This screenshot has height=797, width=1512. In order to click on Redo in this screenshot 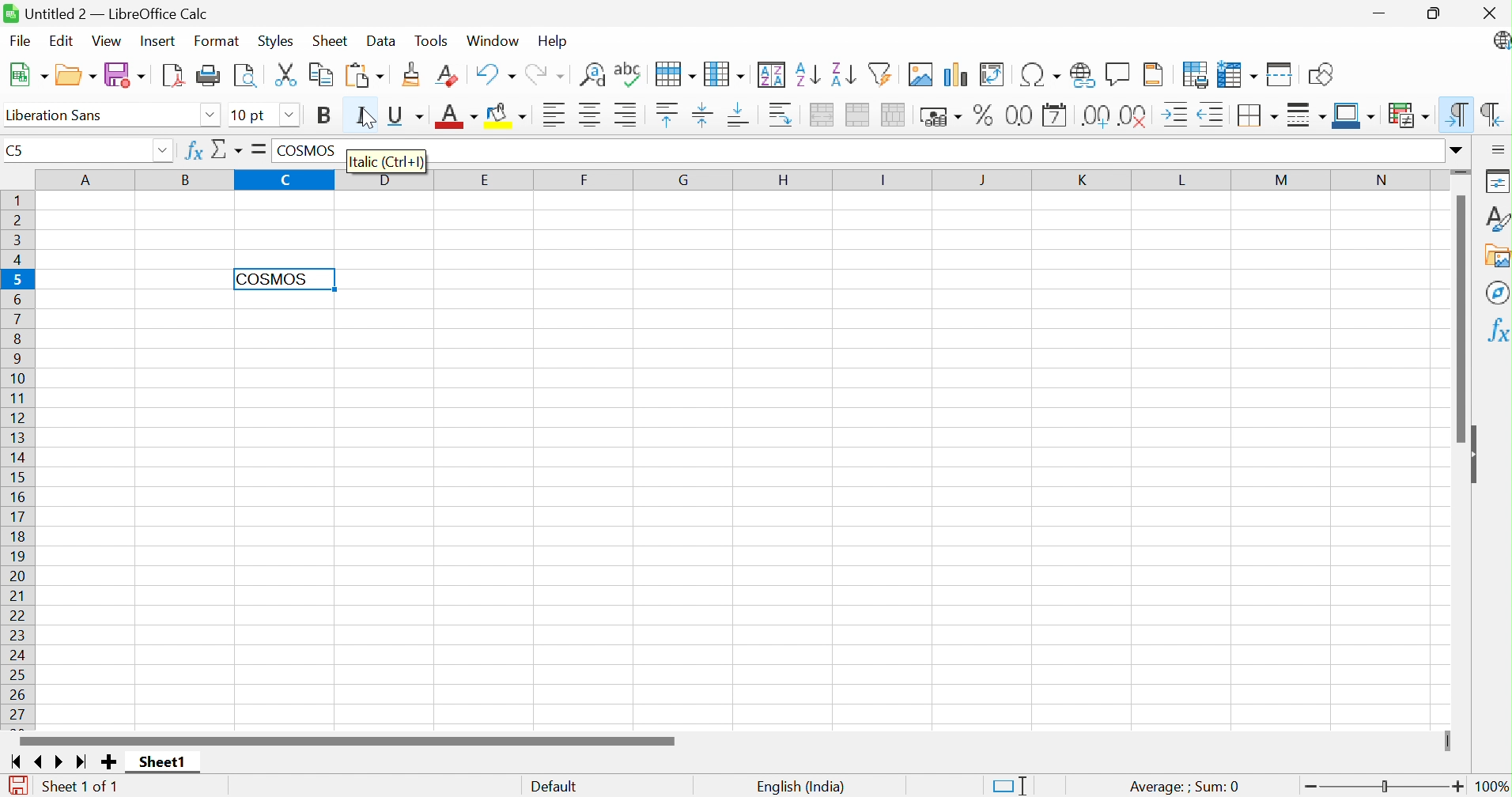, I will do `click(544, 76)`.